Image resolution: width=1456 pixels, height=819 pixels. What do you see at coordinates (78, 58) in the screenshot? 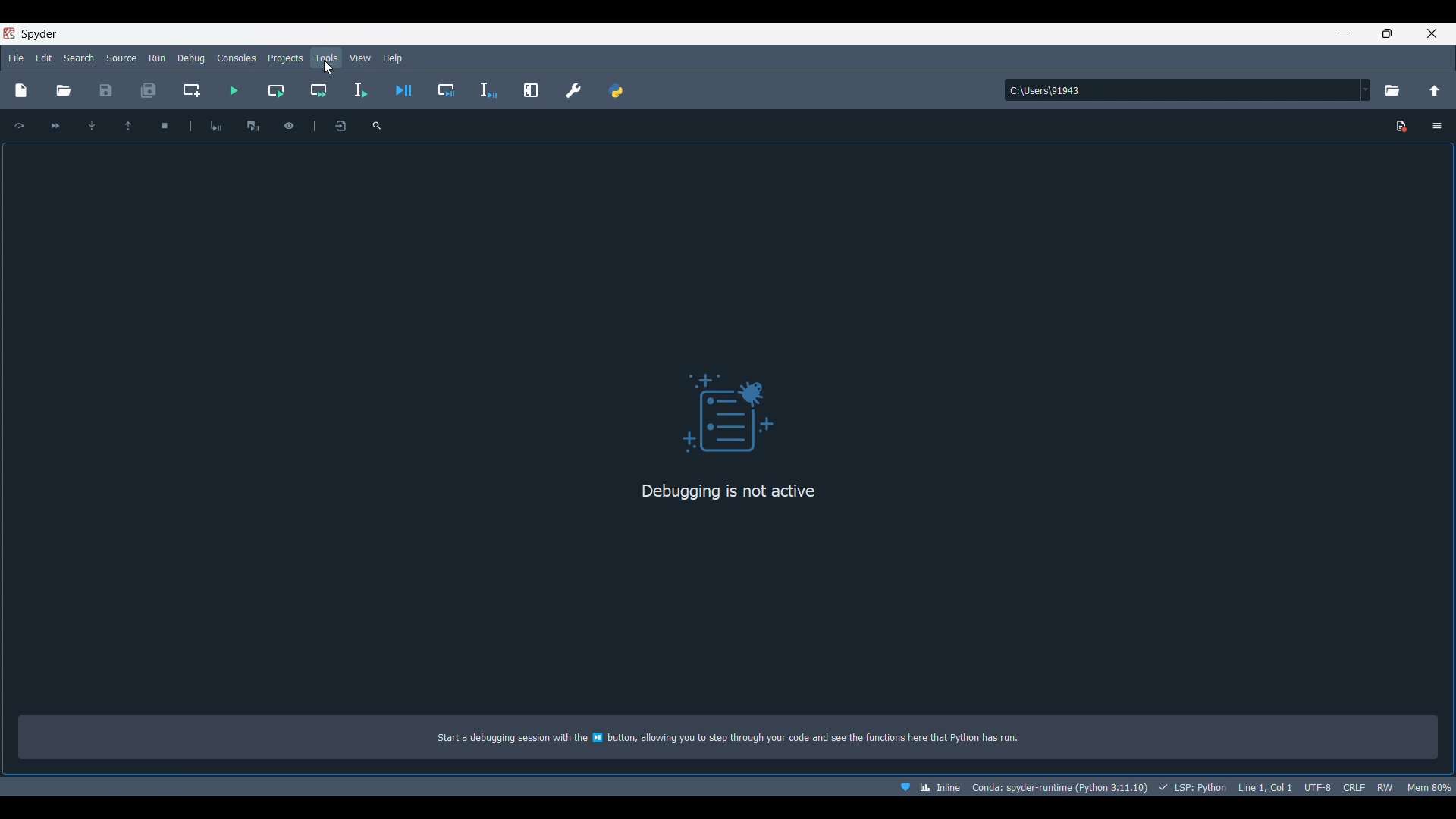
I see `Search menu` at bounding box center [78, 58].